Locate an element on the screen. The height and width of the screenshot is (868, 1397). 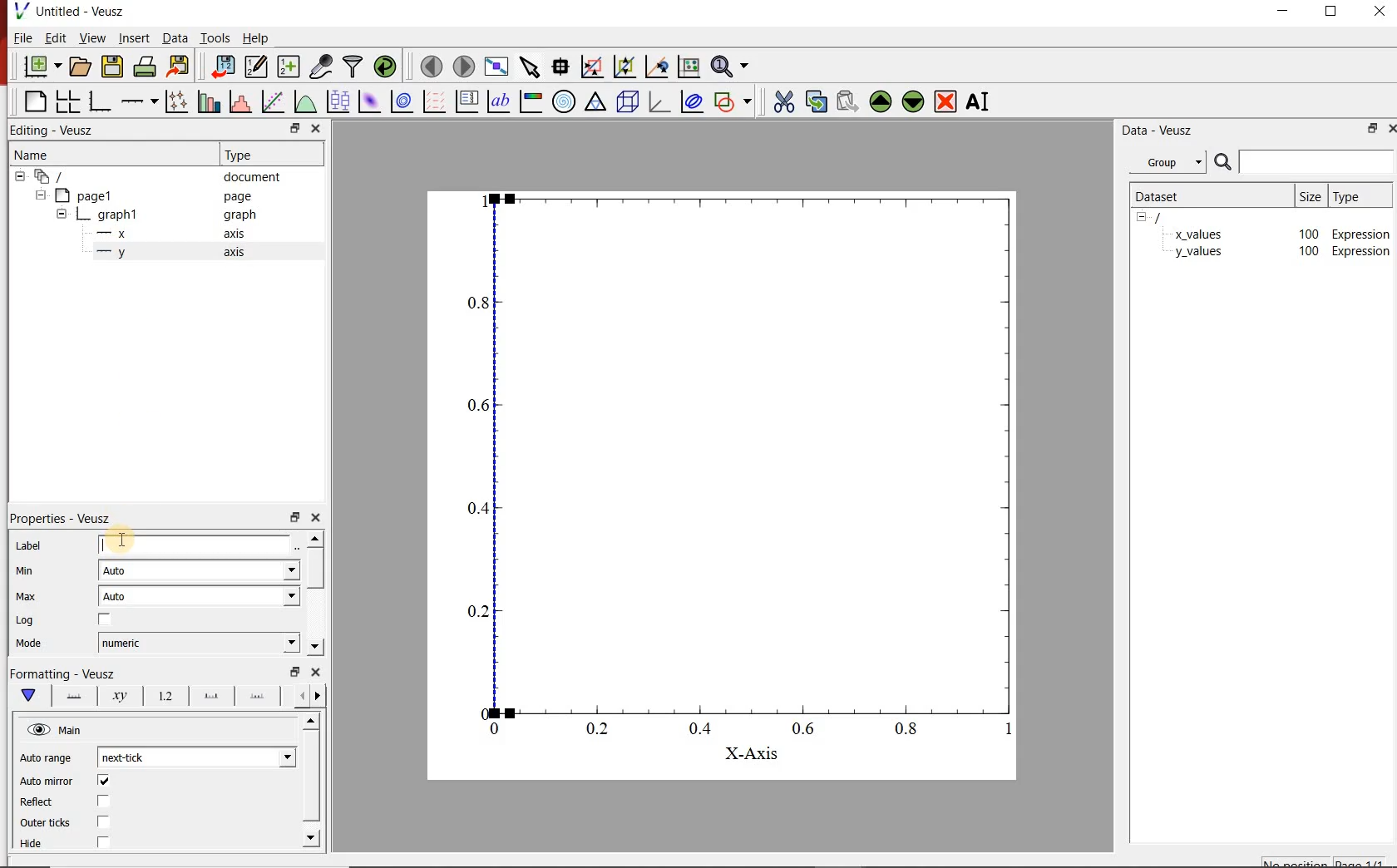
graph1 is located at coordinates (120, 214).